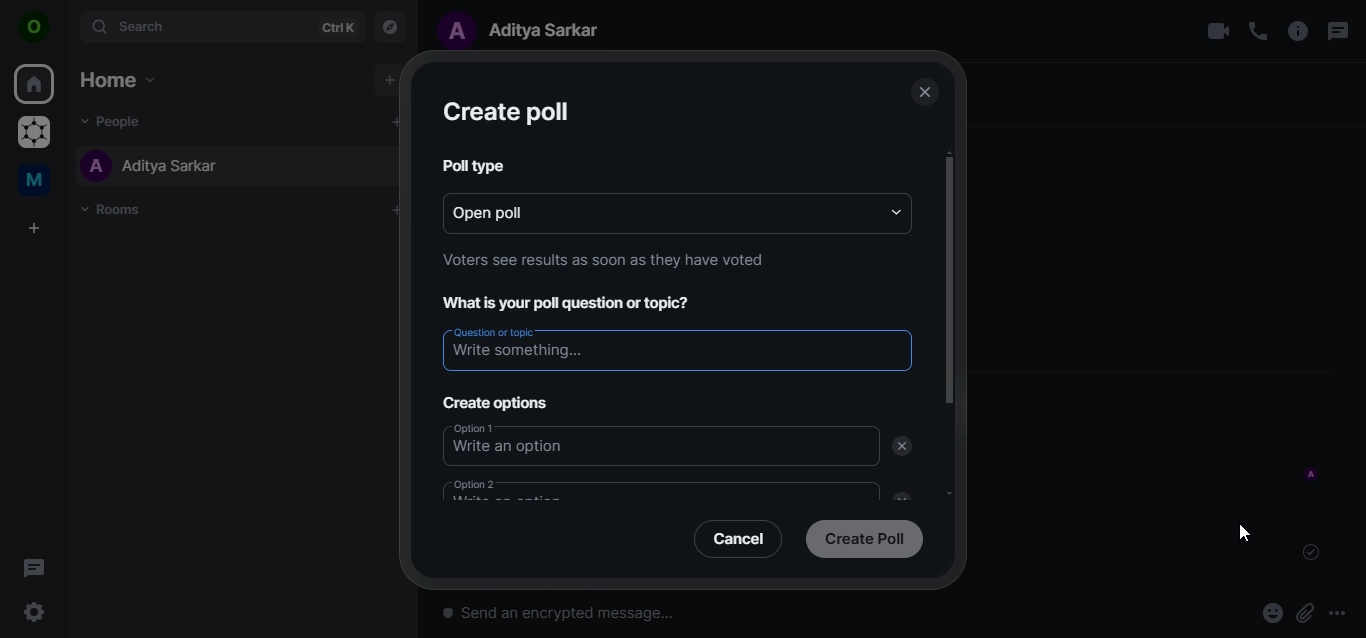 This screenshot has height=638, width=1366. What do you see at coordinates (36, 85) in the screenshot?
I see `home` at bounding box center [36, 85].